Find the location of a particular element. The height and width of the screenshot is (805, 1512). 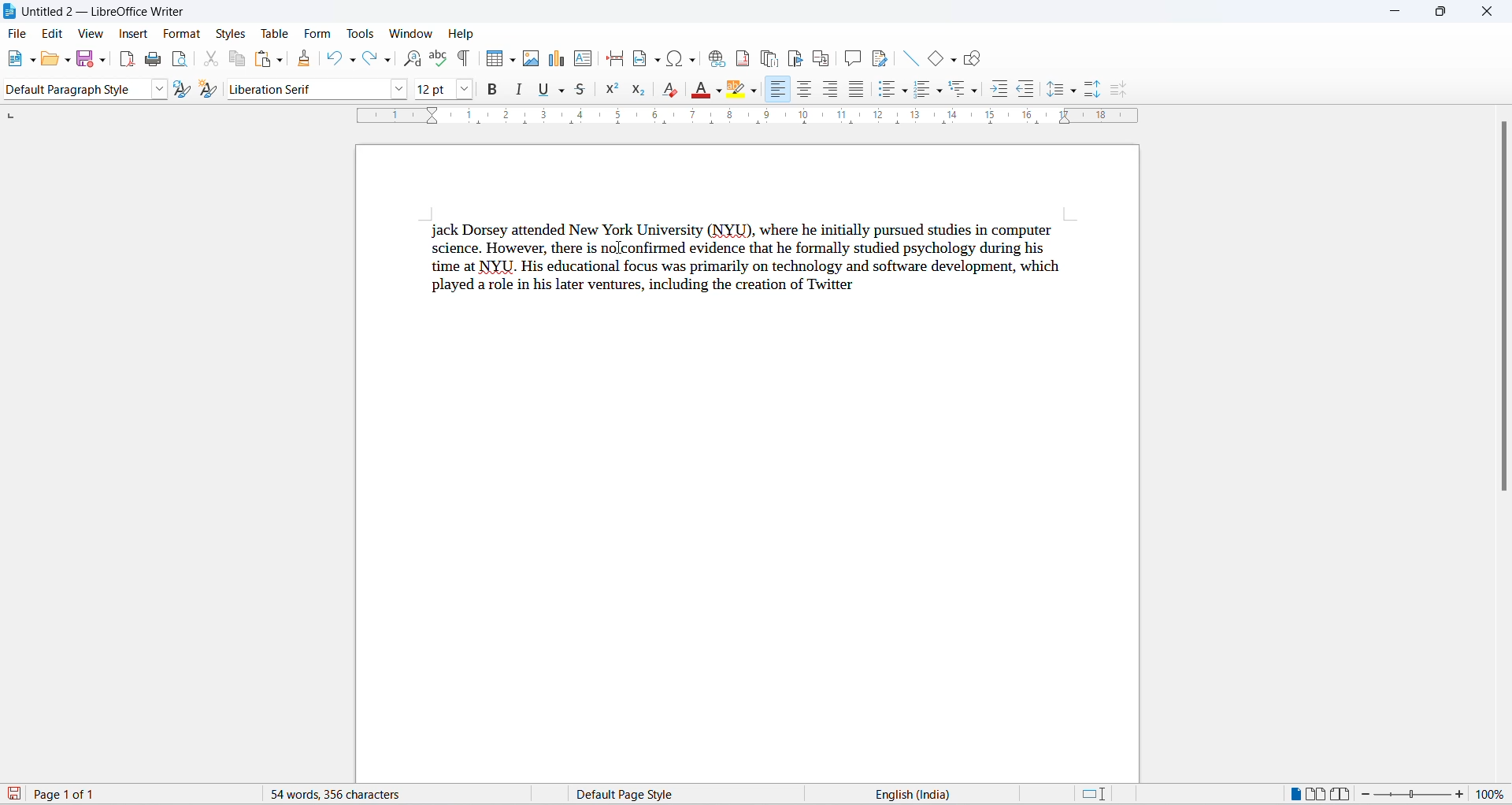

subscript is located at coordinates (636, 88).